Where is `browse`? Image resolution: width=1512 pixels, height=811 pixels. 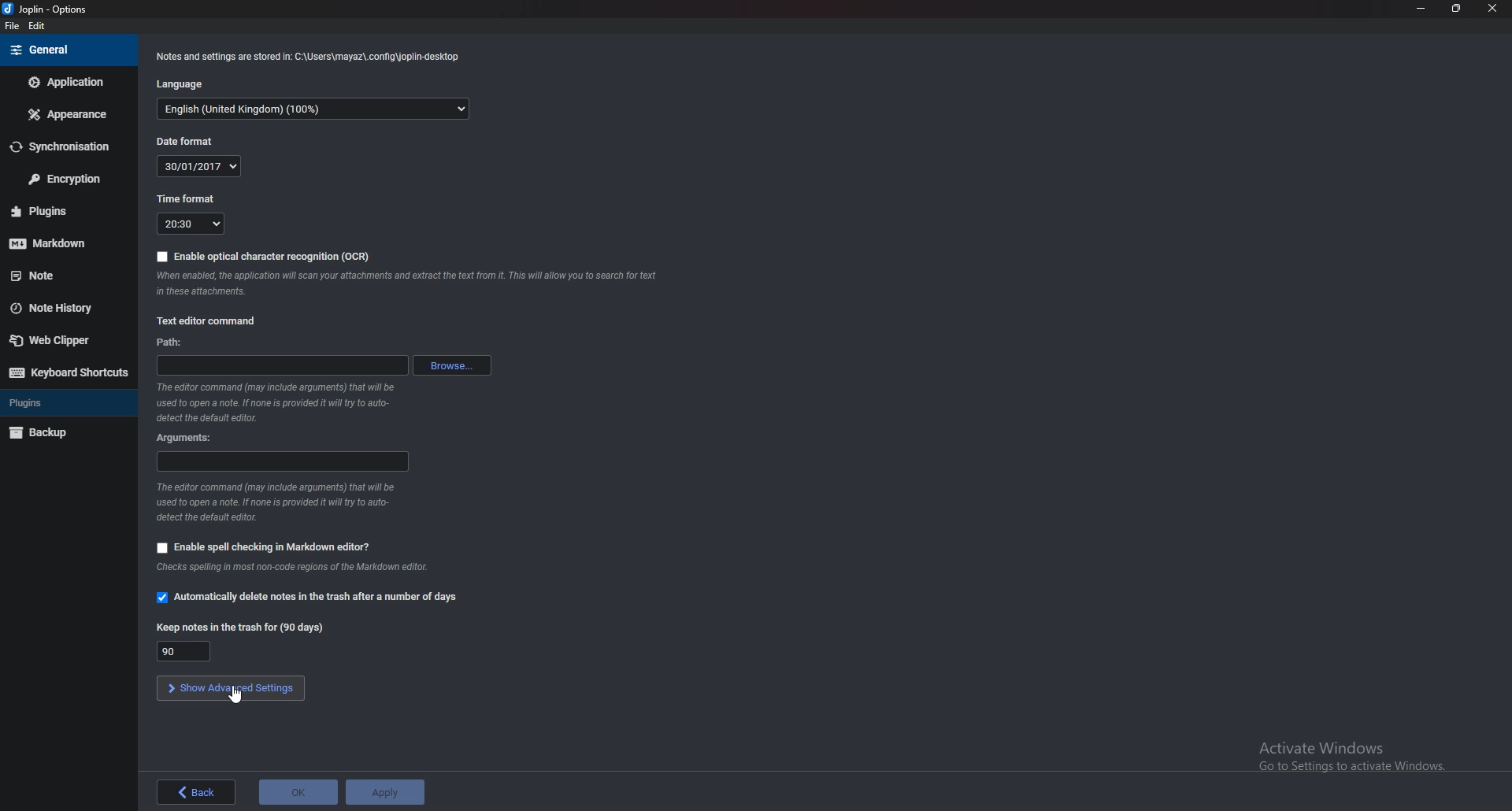
browse is located at coordinates (452, 365).